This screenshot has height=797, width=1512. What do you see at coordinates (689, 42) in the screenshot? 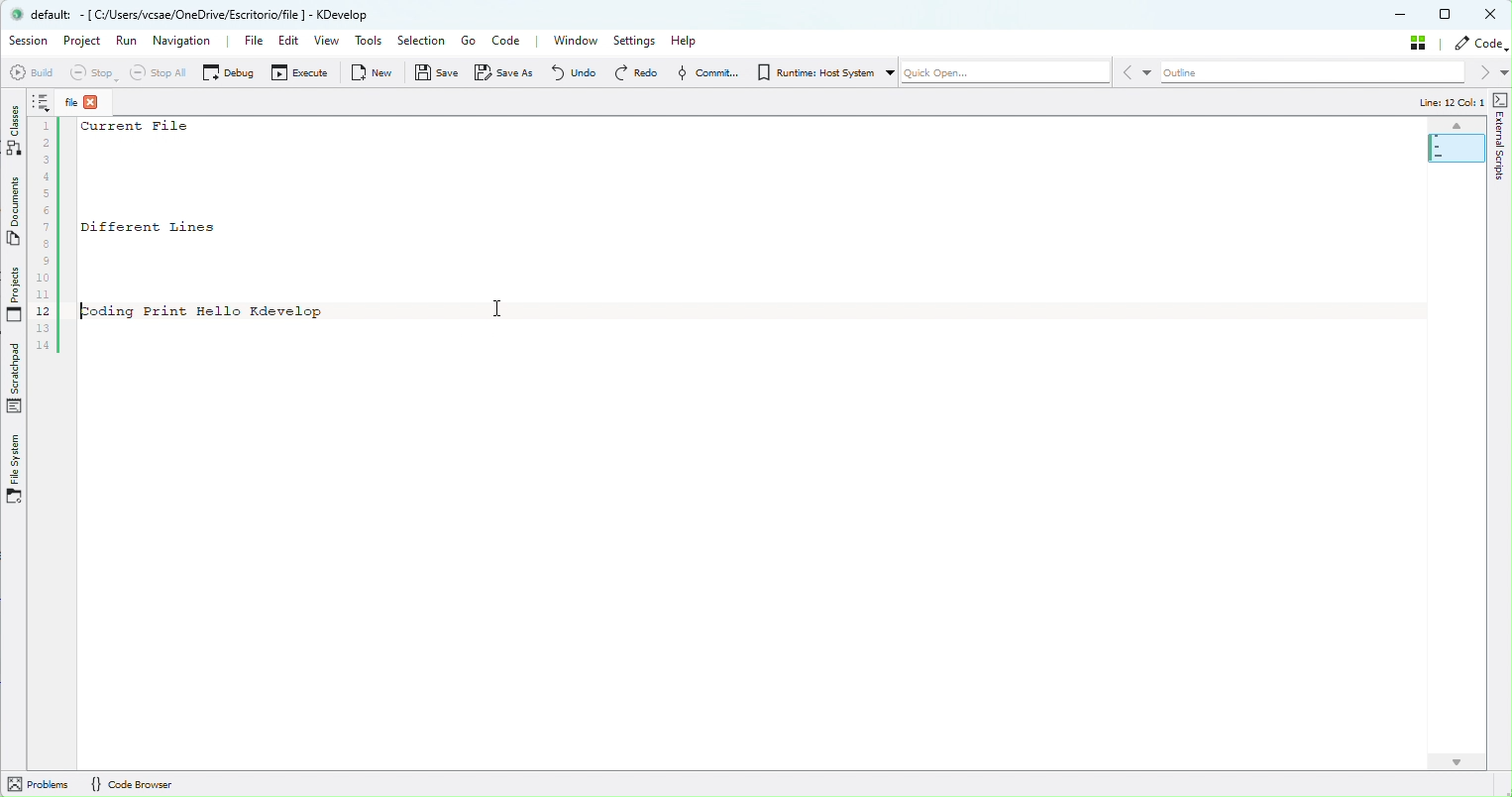
I see `Help` at bounding box center [689, 42].